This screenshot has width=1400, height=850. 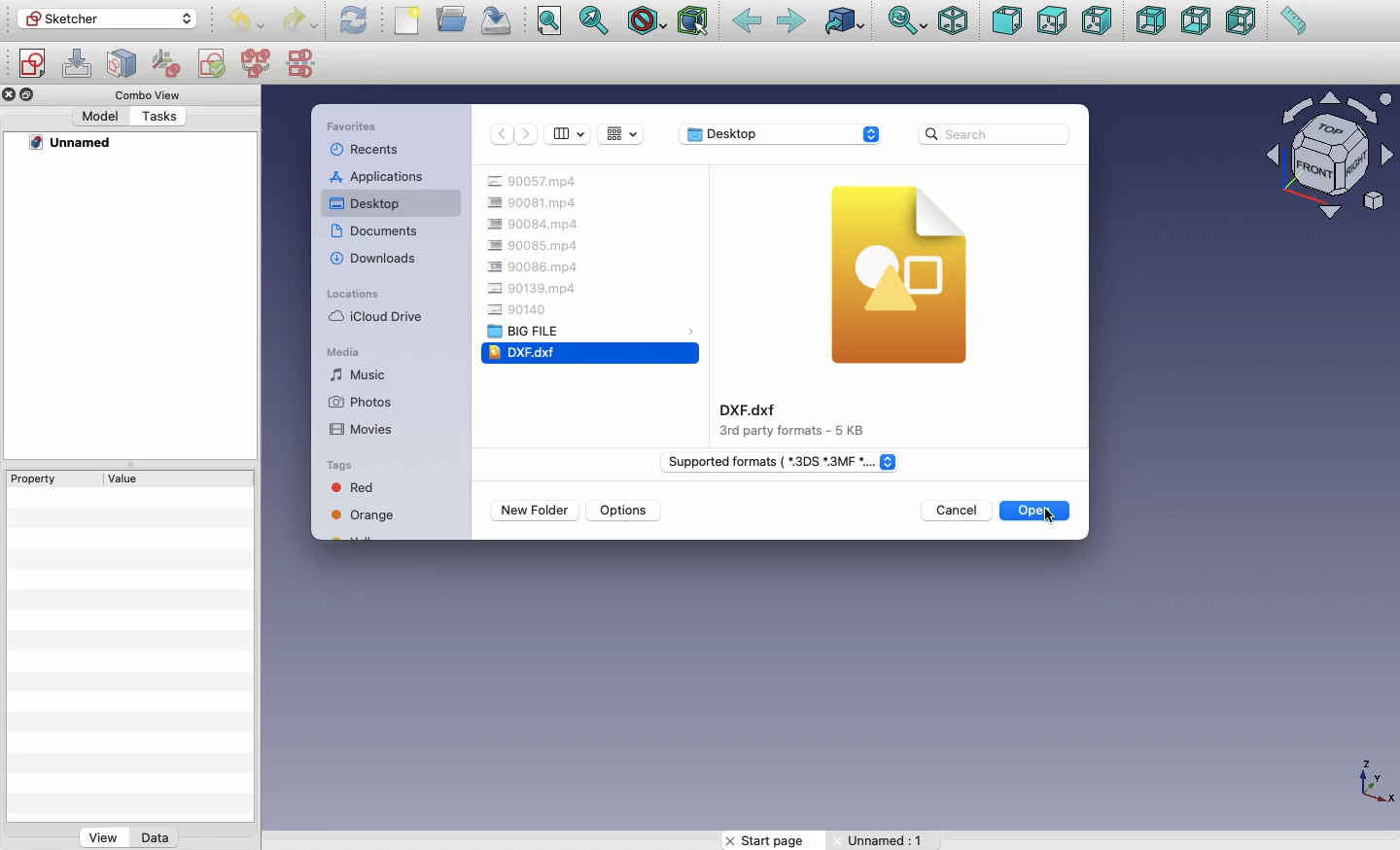 What do you see at coordinates (539, 511) in the screenshot?
I see `New folder` at bounding box center [539, 511].